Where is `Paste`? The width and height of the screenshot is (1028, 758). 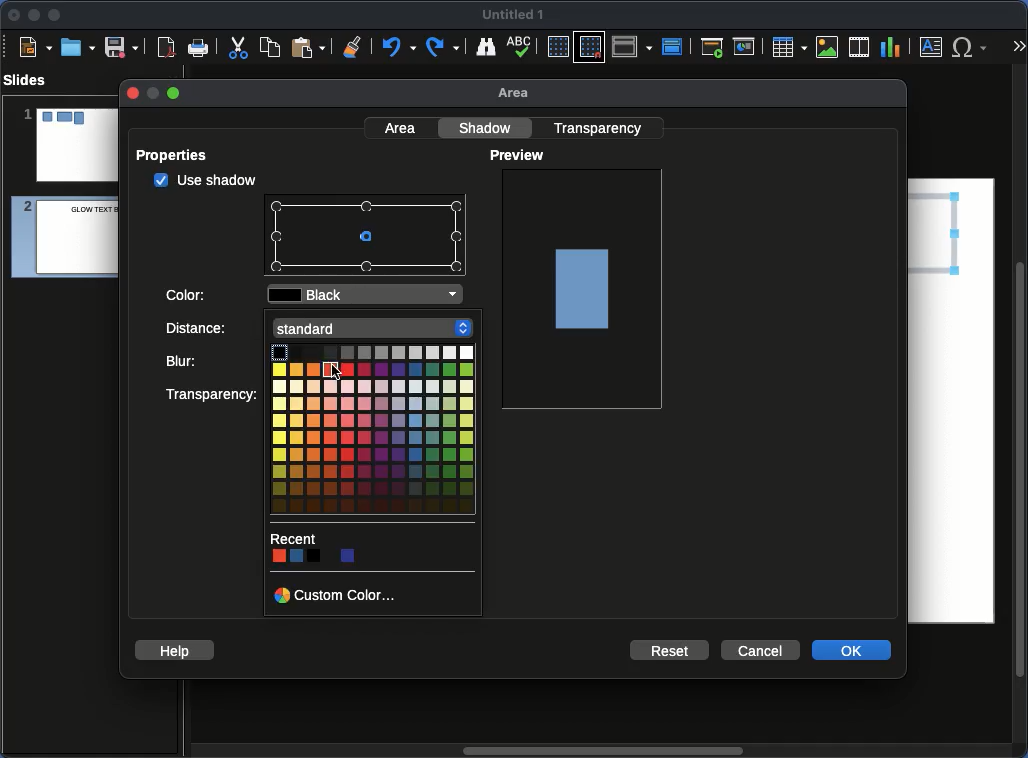 Paste is located at coordinates (308, 46).